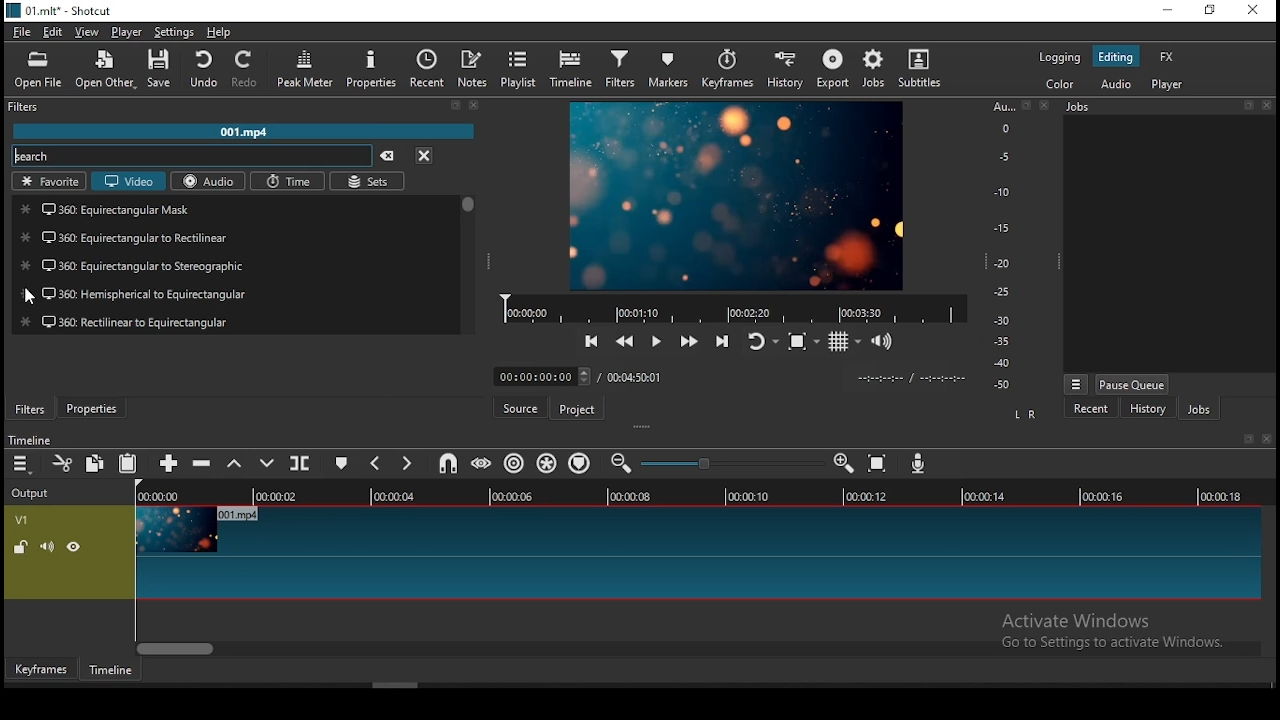 The width and height of the screenshot is (1280, 720). What do you see at coordinates (625, 464) in the screenshot?
I see `zoom timeline out` at bounding box center [625, 464].